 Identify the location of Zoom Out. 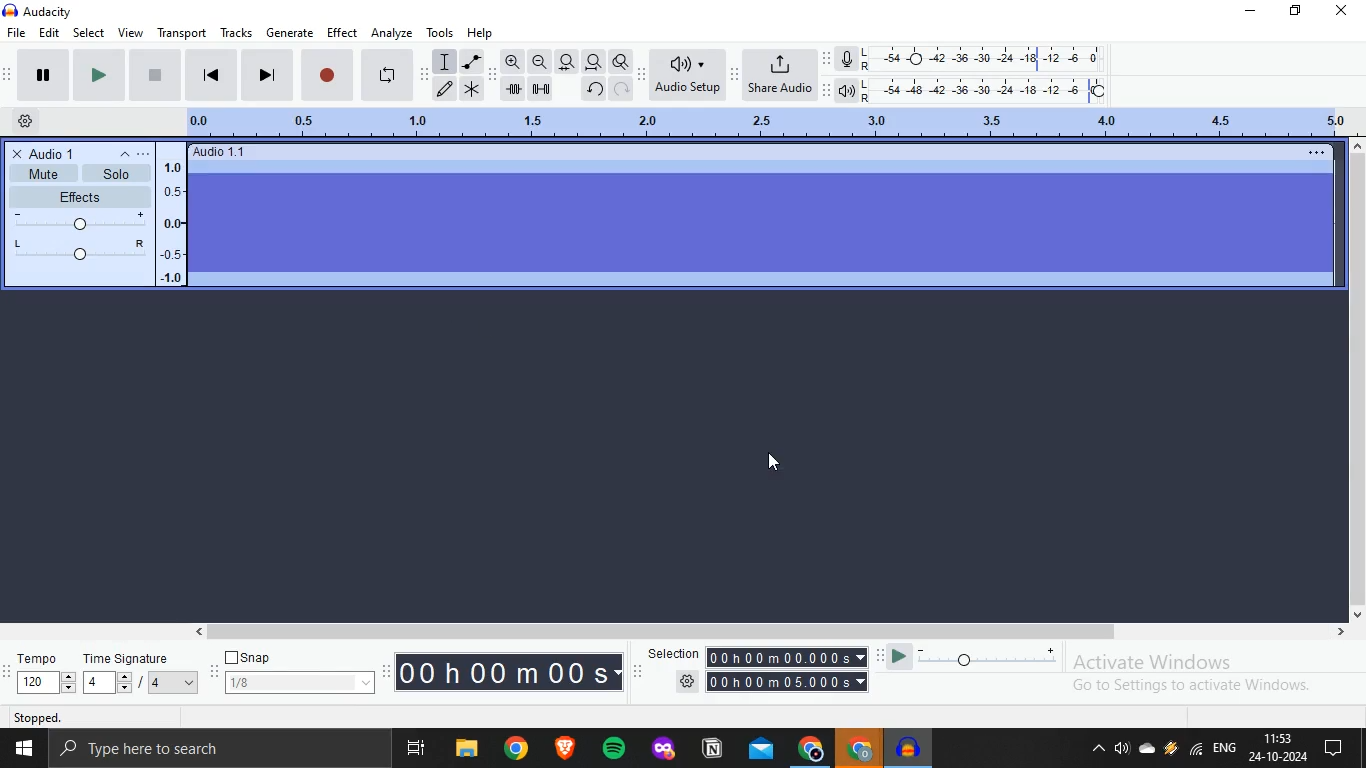
(539, 63).